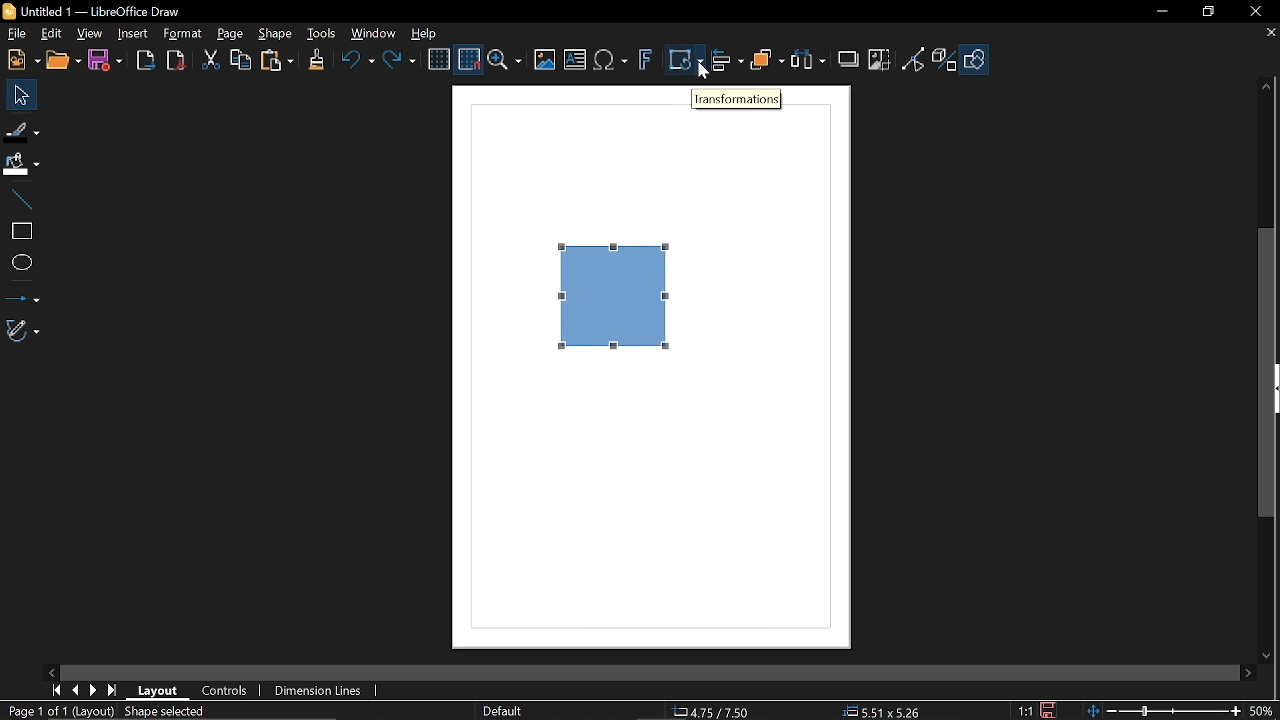 This screenshot has width=1280, height=720. I want to click on Display grid, so click(438, 60).